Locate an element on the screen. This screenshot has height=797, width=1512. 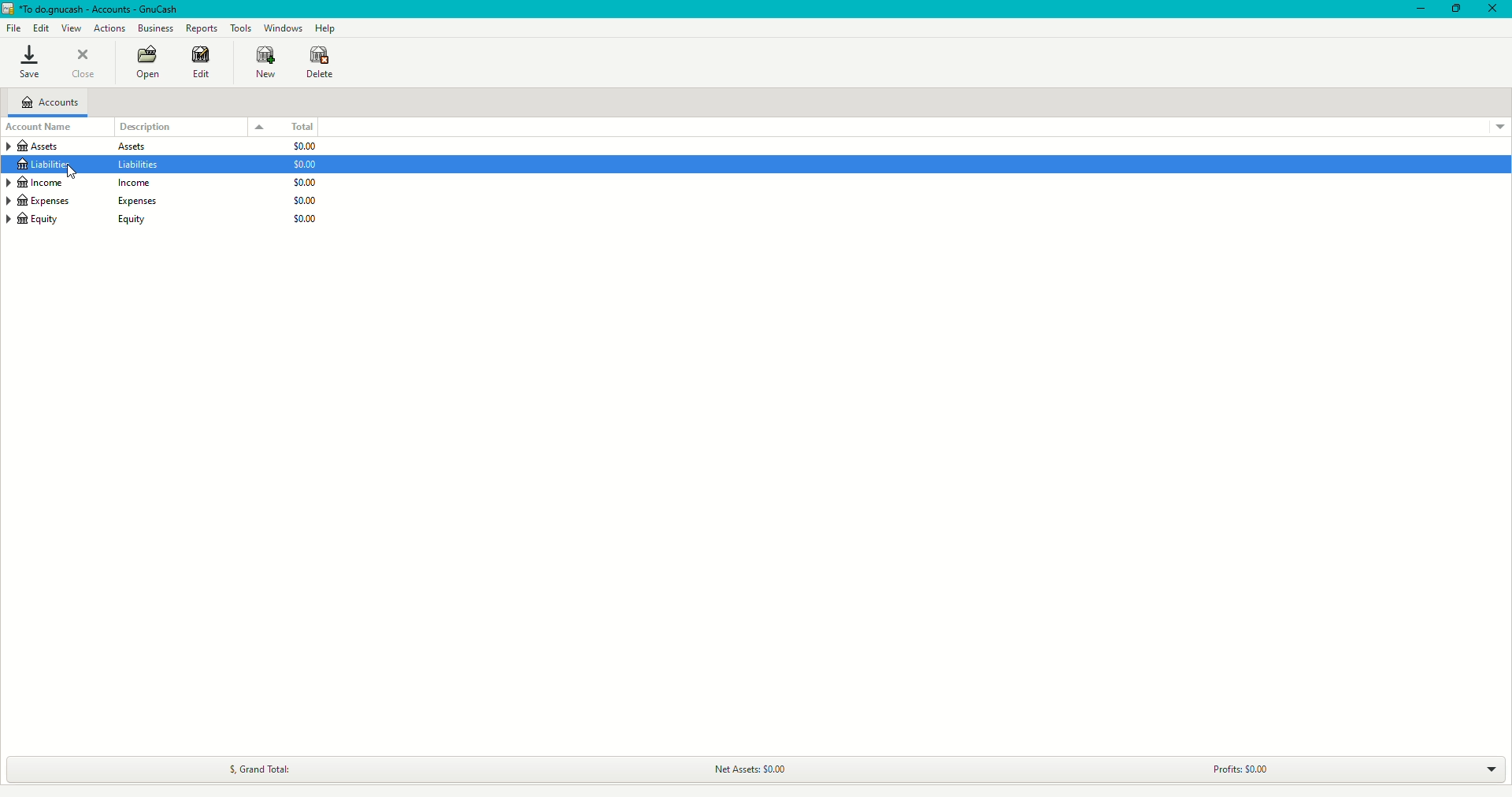
File is located at coordinates (13, 28).